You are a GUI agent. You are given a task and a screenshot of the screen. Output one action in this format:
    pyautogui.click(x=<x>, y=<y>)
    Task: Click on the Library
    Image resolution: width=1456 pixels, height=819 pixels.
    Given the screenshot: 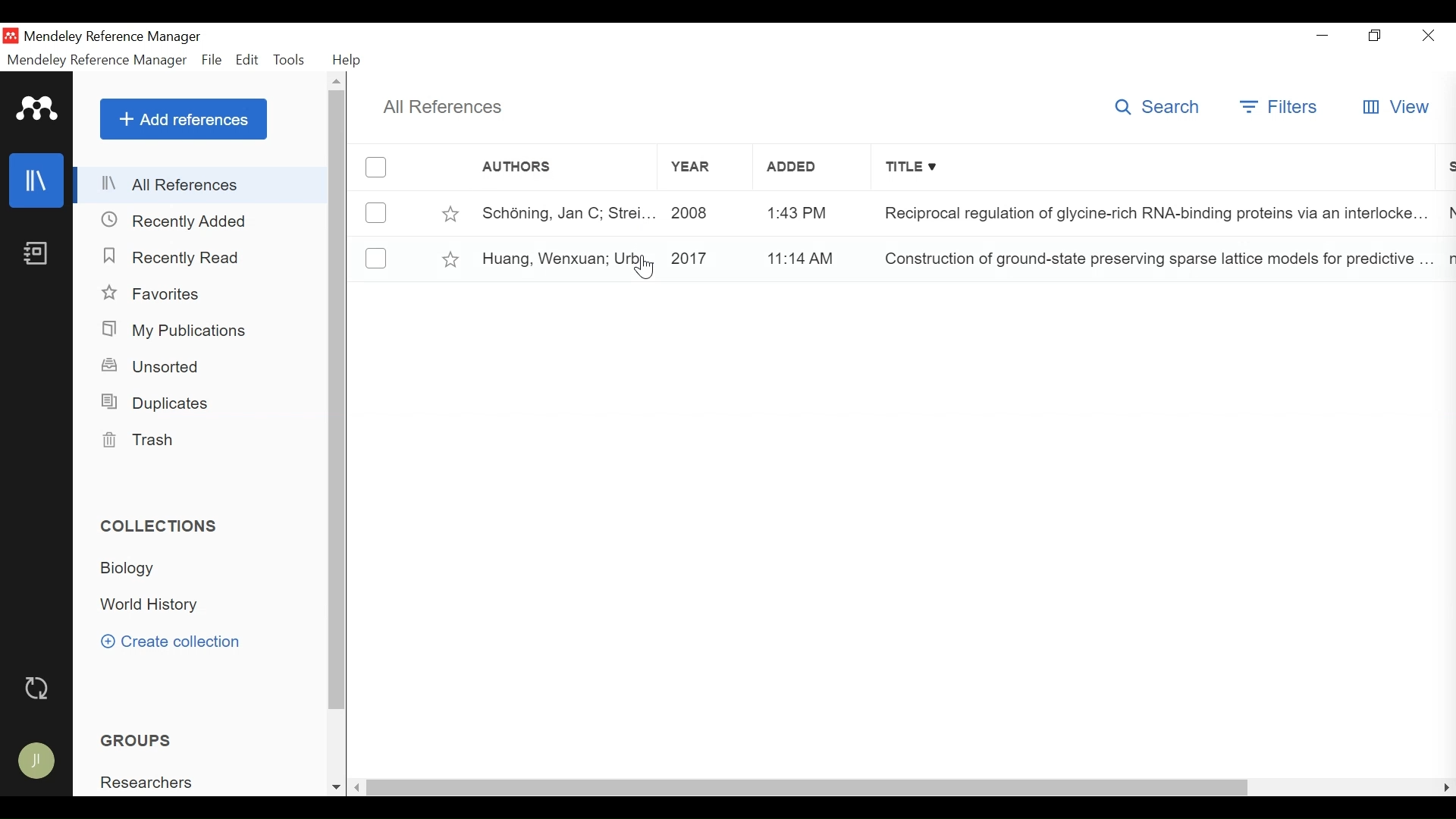 What is the action you would take?
    pyautogui.click(x=37, y=180)
    